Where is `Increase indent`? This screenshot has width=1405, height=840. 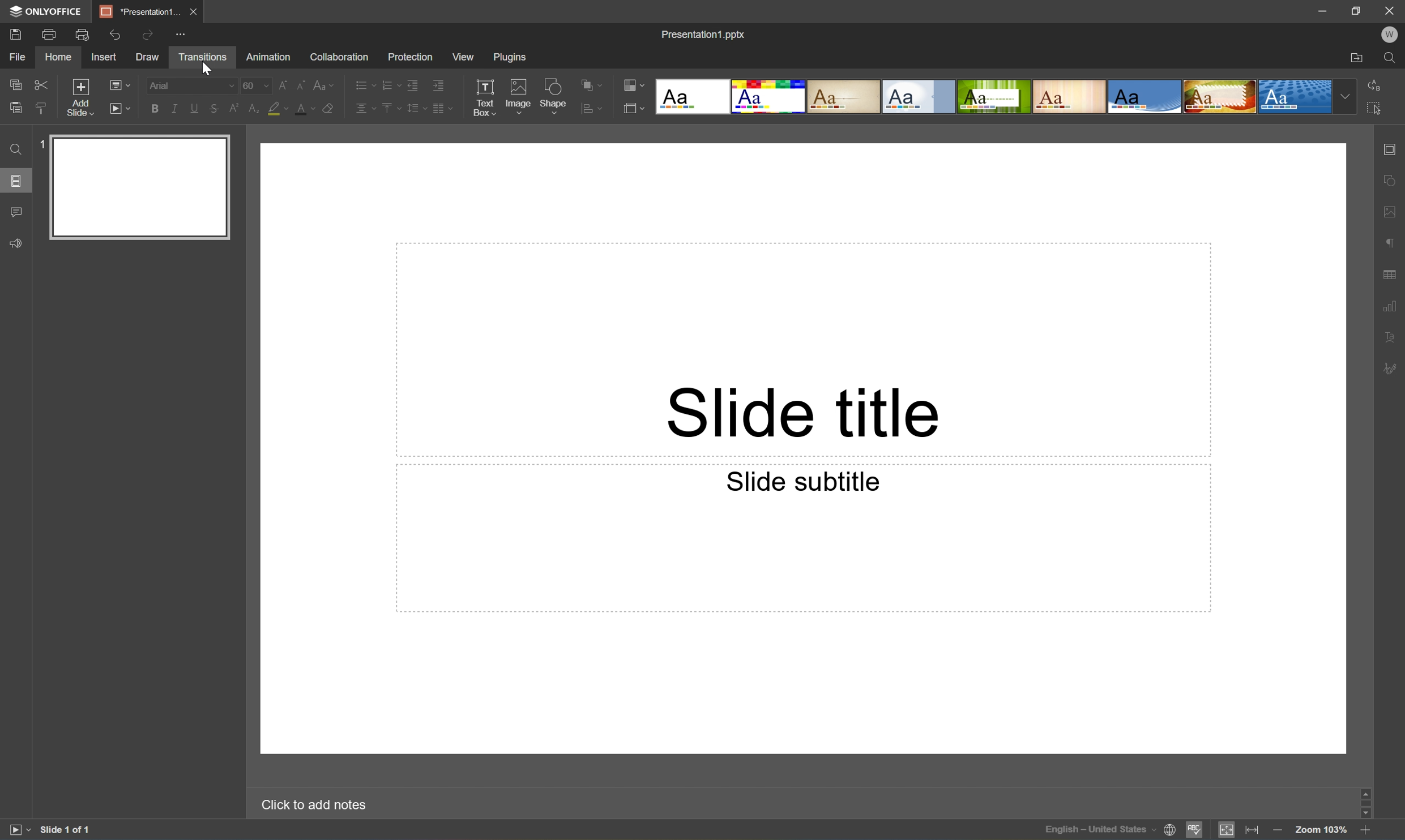
Increase indent is located at coordinates (439, 83).